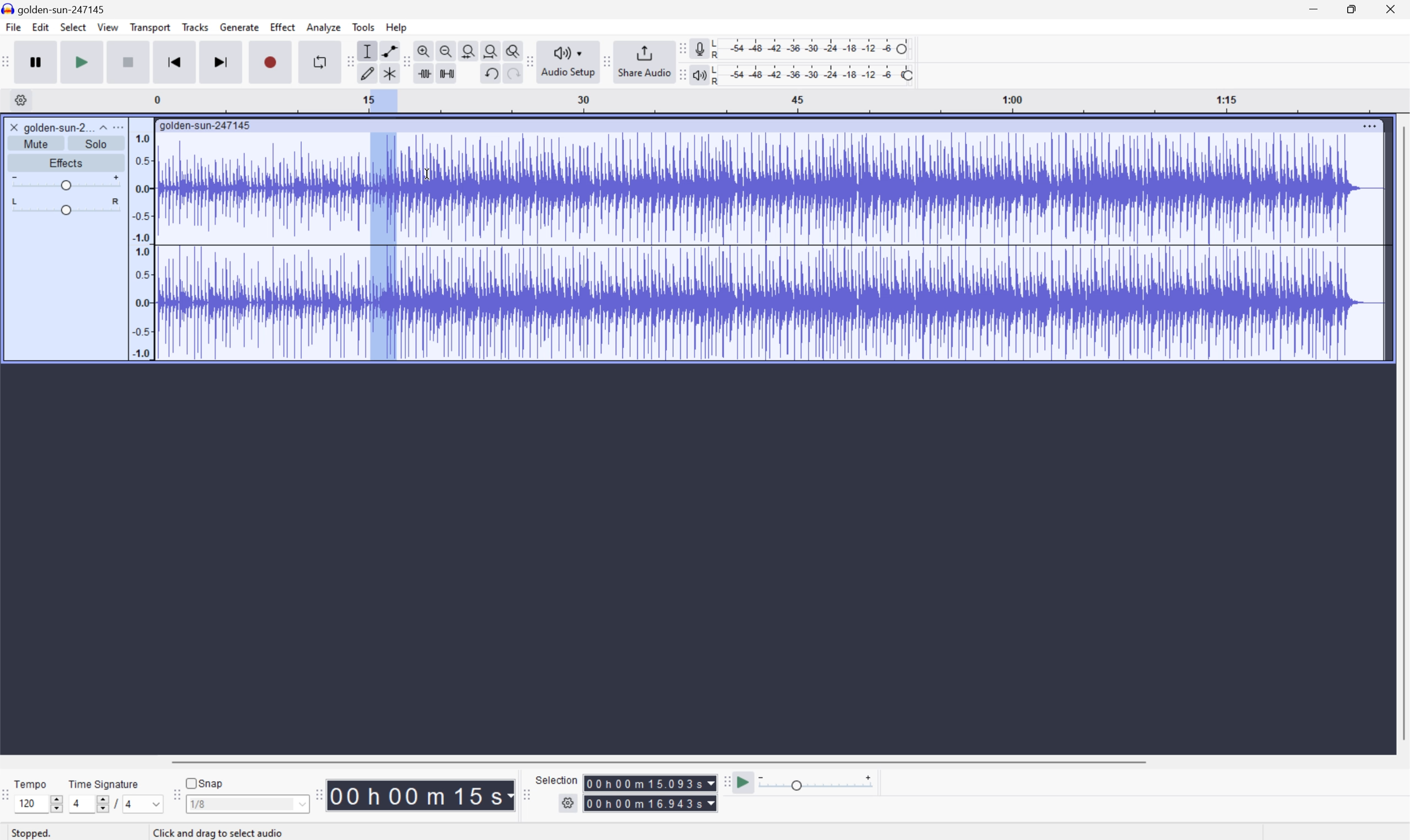  I want to click on View, so click(109, 29).